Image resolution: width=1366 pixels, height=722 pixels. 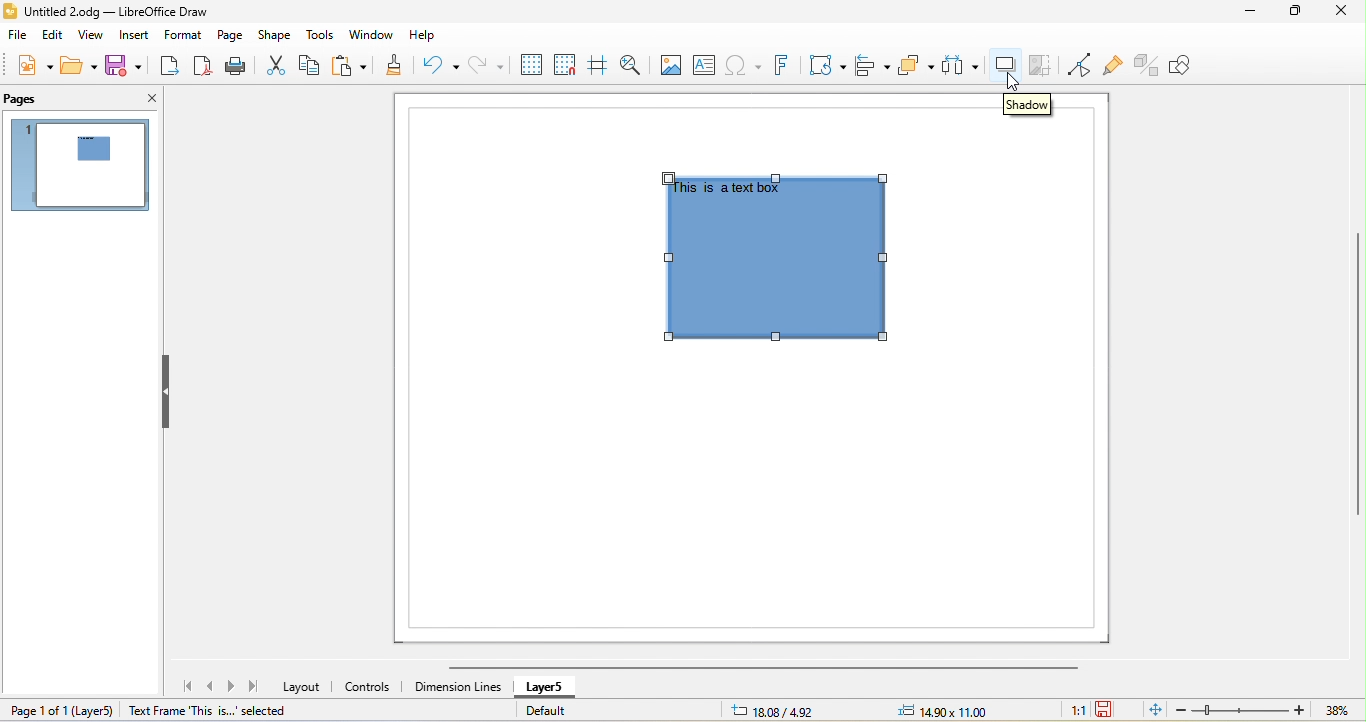 I want to click on zoom and pan, so click(x=636, y=64).